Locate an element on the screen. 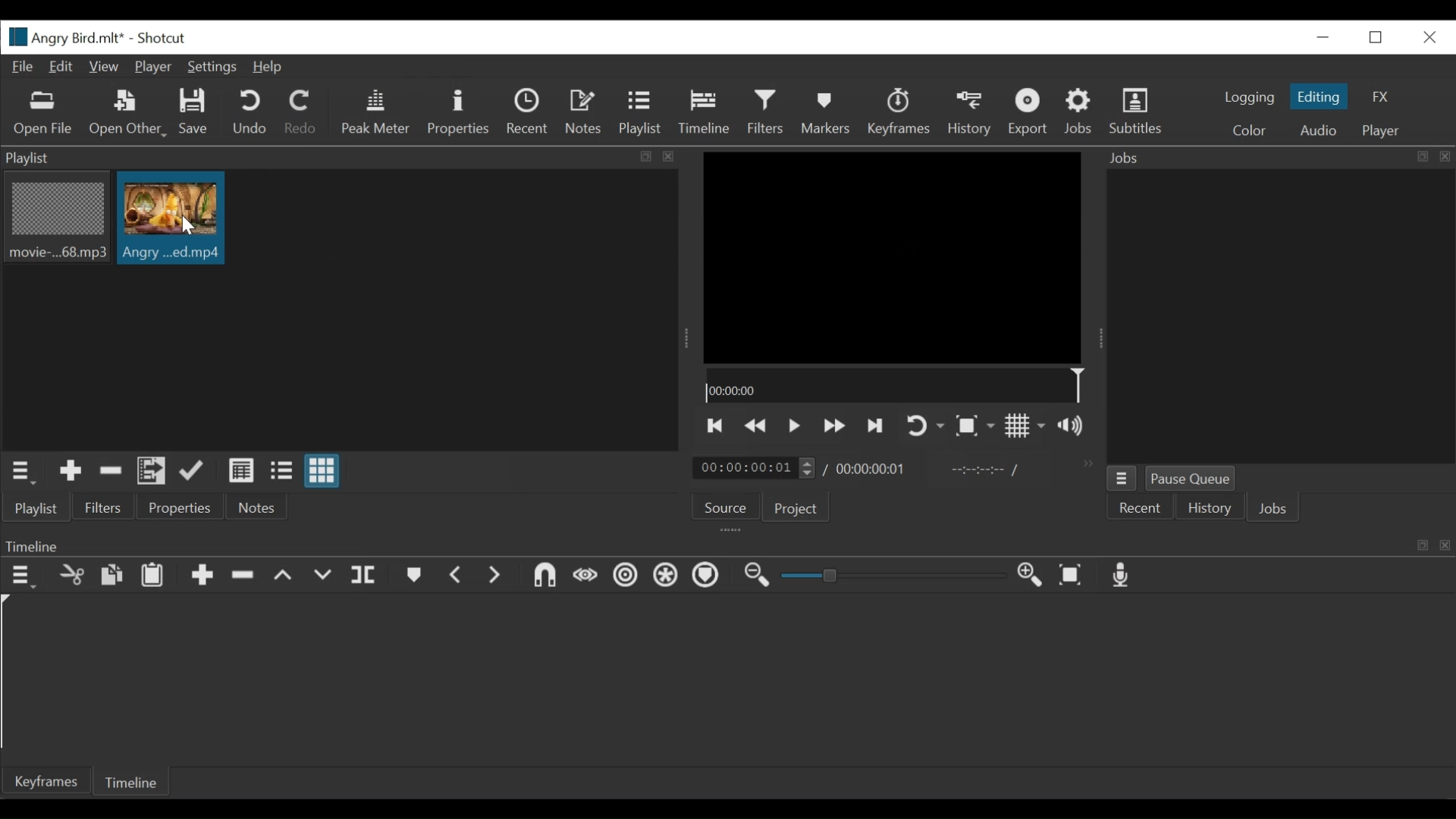 The width and height of the screenshot is (1456, 819). Playlist menu is located at coordinates (24, 473).